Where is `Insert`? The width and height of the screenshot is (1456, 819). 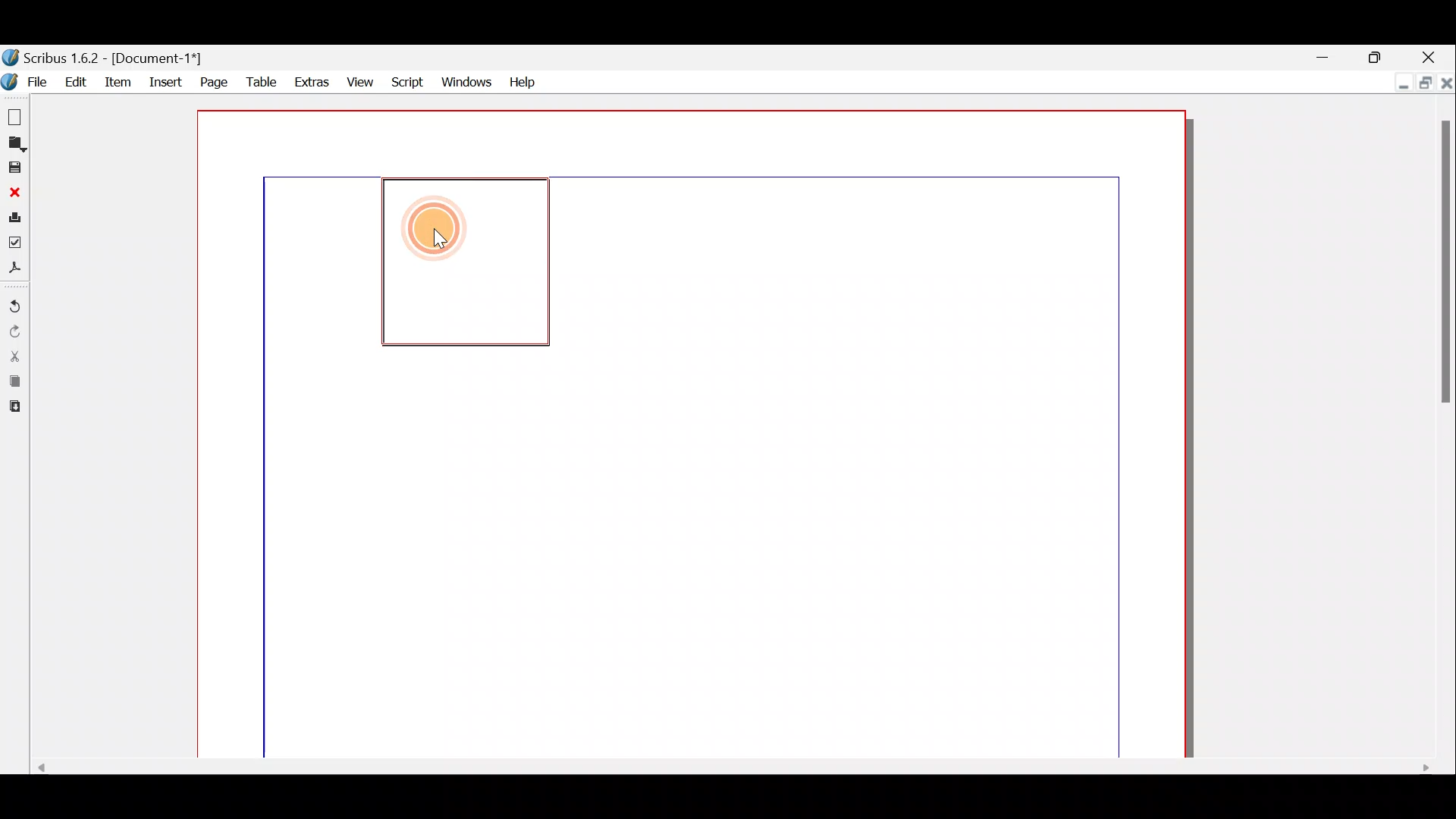
Insert is located at coordinates (166, 80).